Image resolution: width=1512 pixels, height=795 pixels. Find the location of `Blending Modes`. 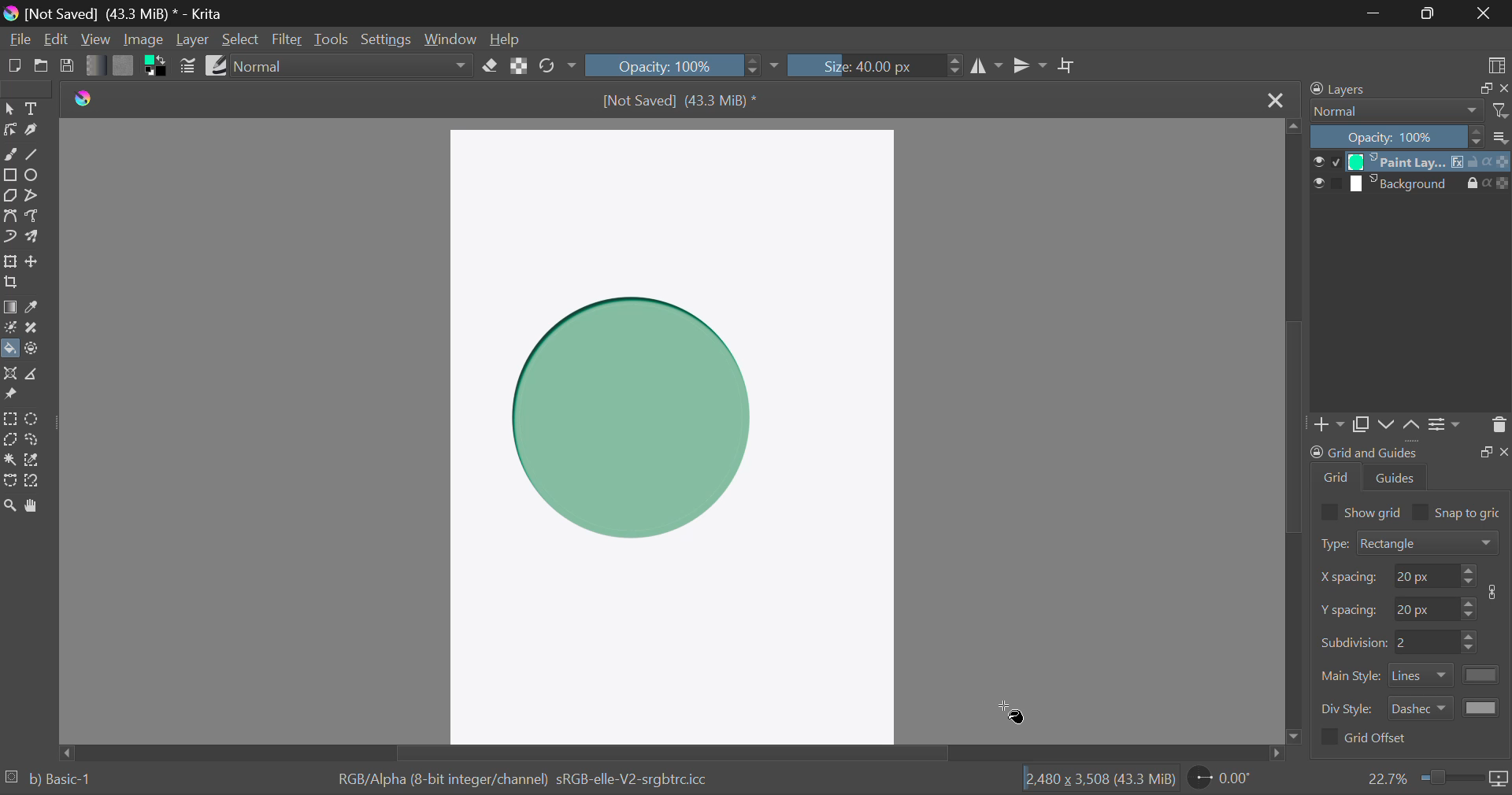

Blending Modes is located at coordinates (1409, 112).